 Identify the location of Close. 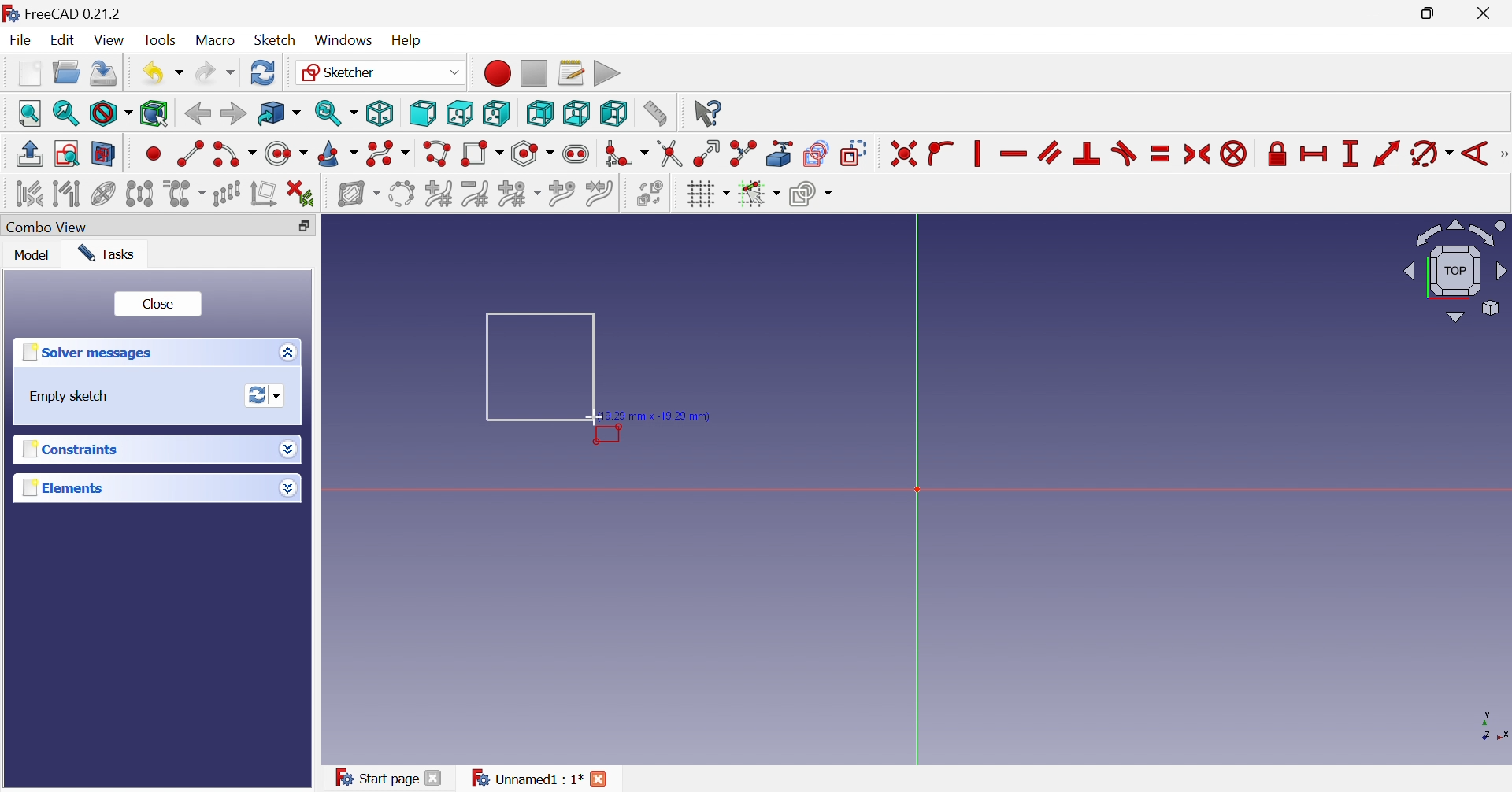
(434, 778).